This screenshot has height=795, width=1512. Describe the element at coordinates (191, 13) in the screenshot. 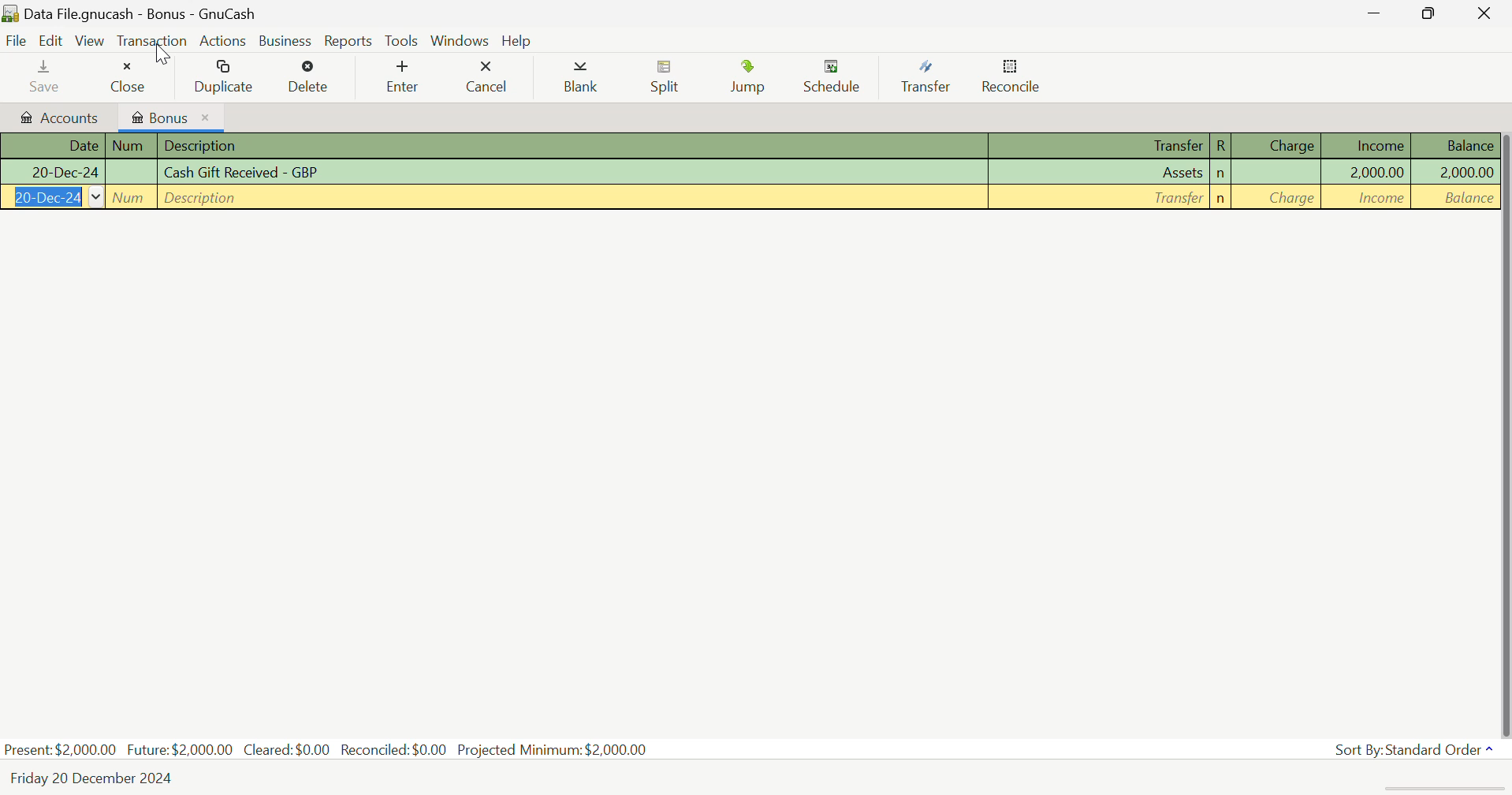

I see `Data File.gnucash - Bonus - GnuCash` at that location.